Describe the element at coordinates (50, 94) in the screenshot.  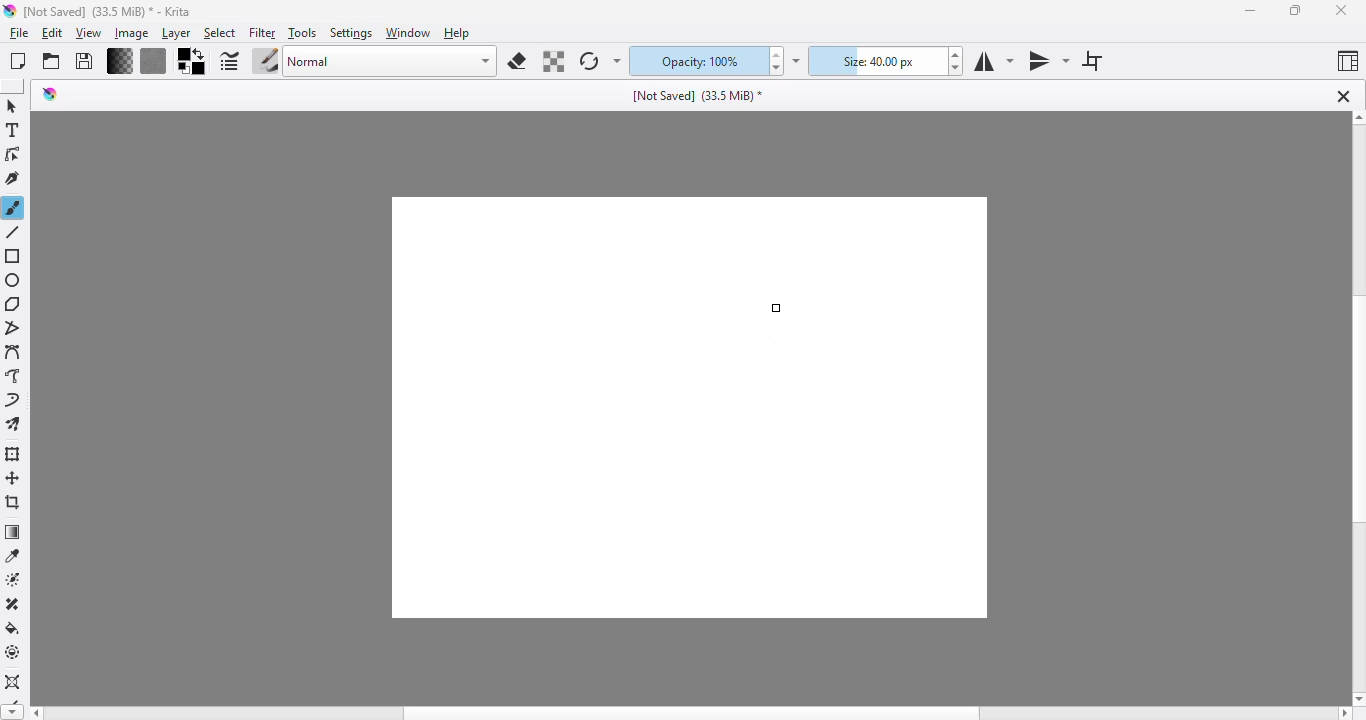
I see `logo` at that location.